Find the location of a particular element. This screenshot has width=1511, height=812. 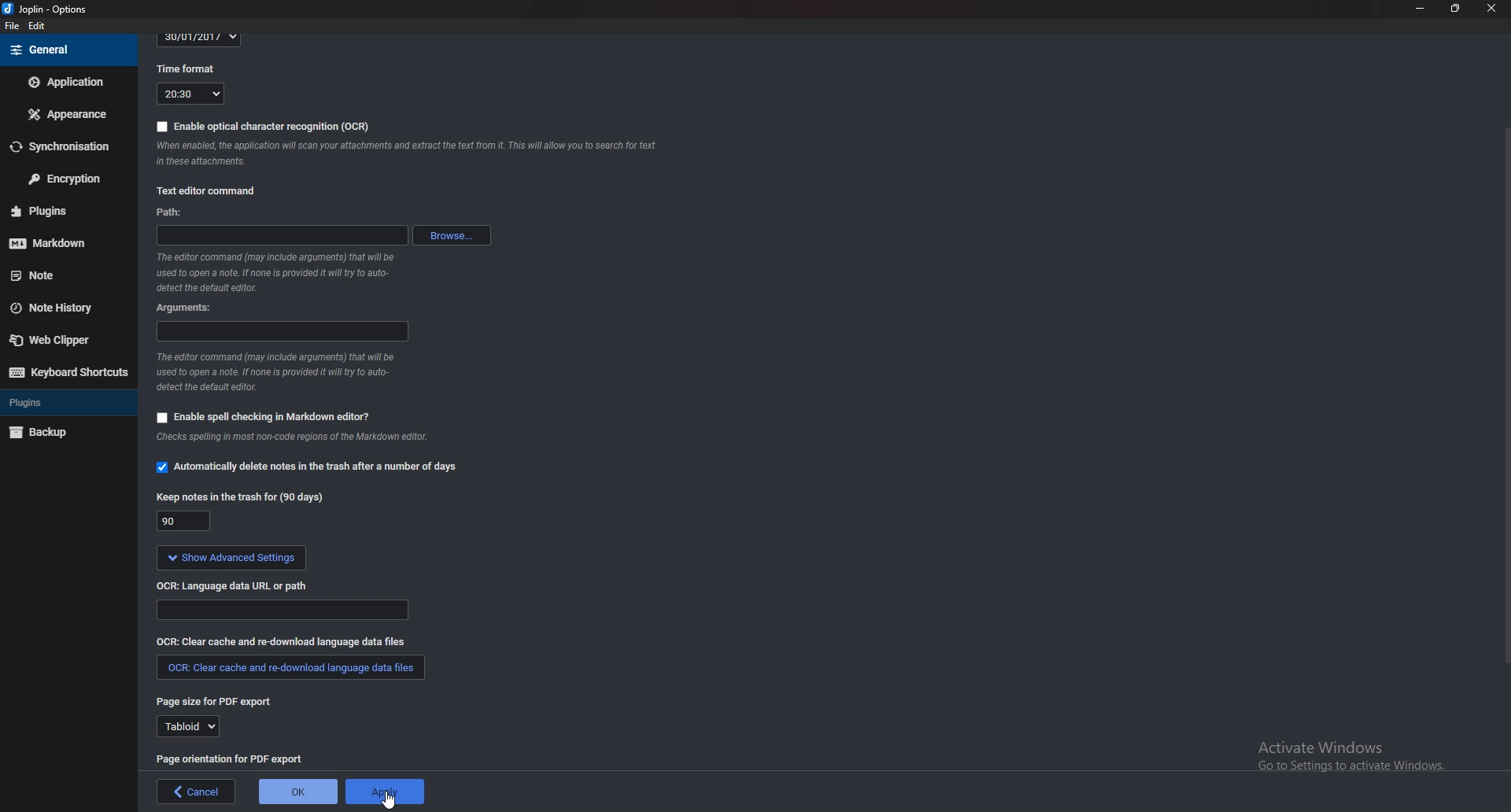

browse is located at coordinates (453, 235).